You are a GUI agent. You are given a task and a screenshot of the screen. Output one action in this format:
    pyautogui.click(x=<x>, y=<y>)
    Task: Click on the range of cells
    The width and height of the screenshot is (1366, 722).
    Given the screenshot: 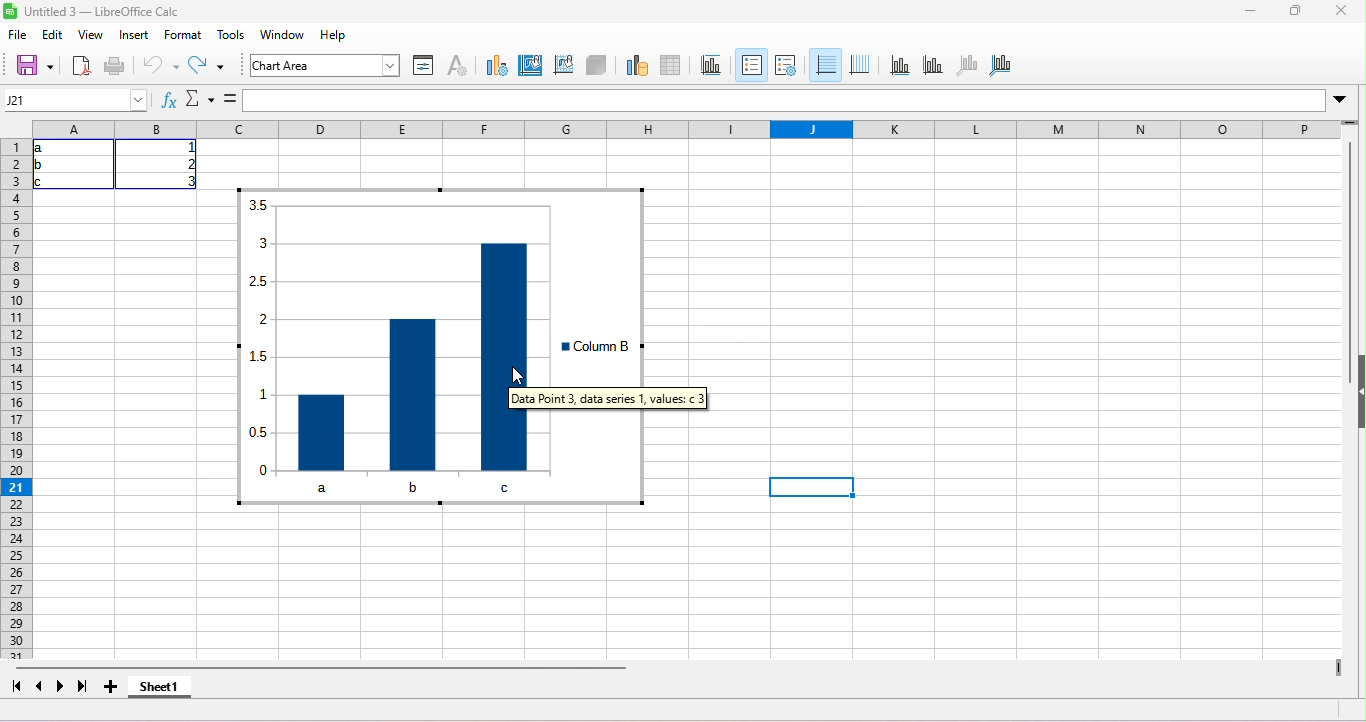 What is the action you would take?
    pyautogui.click(x=123, y=167)
    